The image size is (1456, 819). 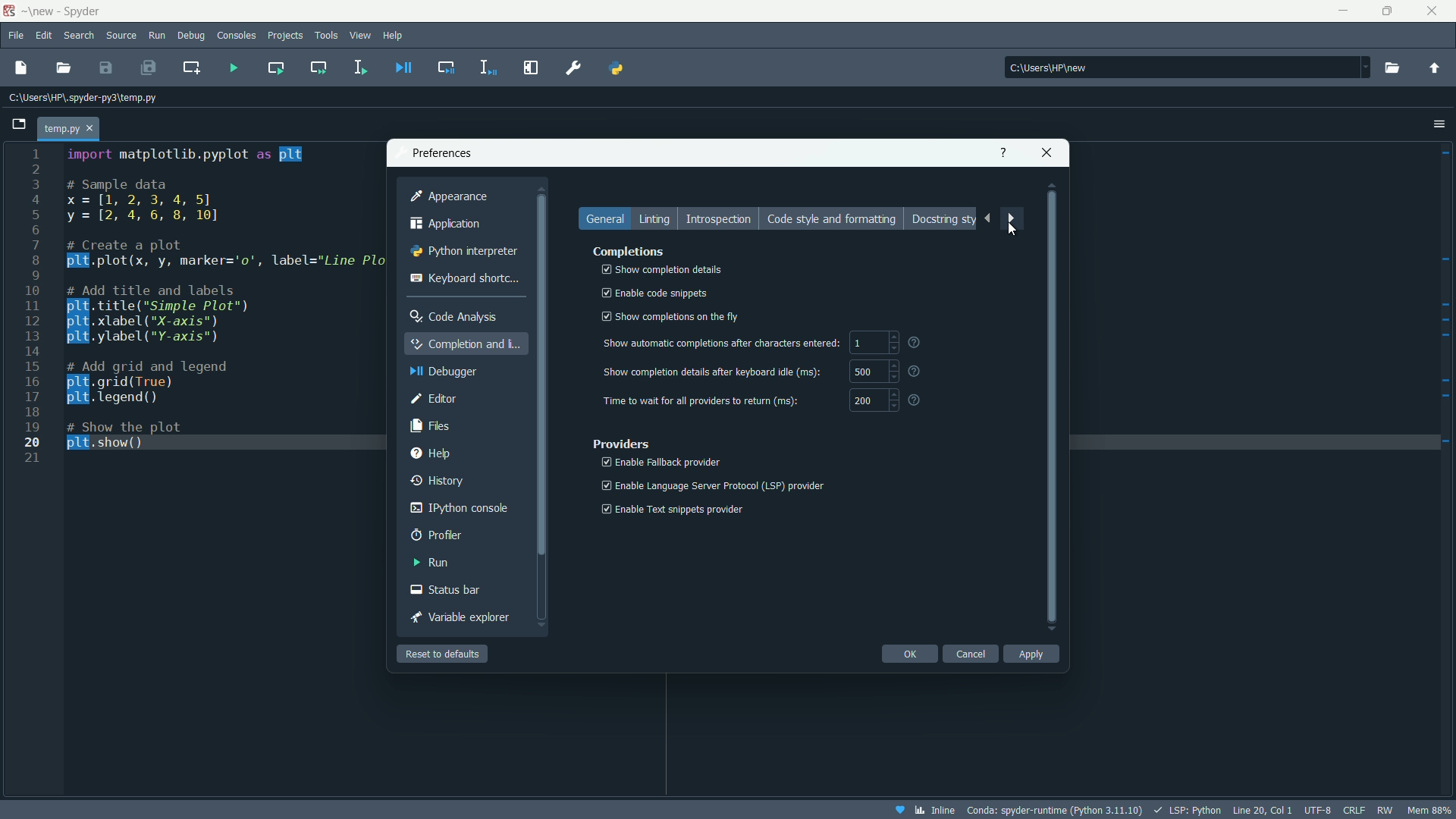 What do you see at coordinates (453, 316) in the screenshot?
I see `code analysis` at bounding box center [453, 316].